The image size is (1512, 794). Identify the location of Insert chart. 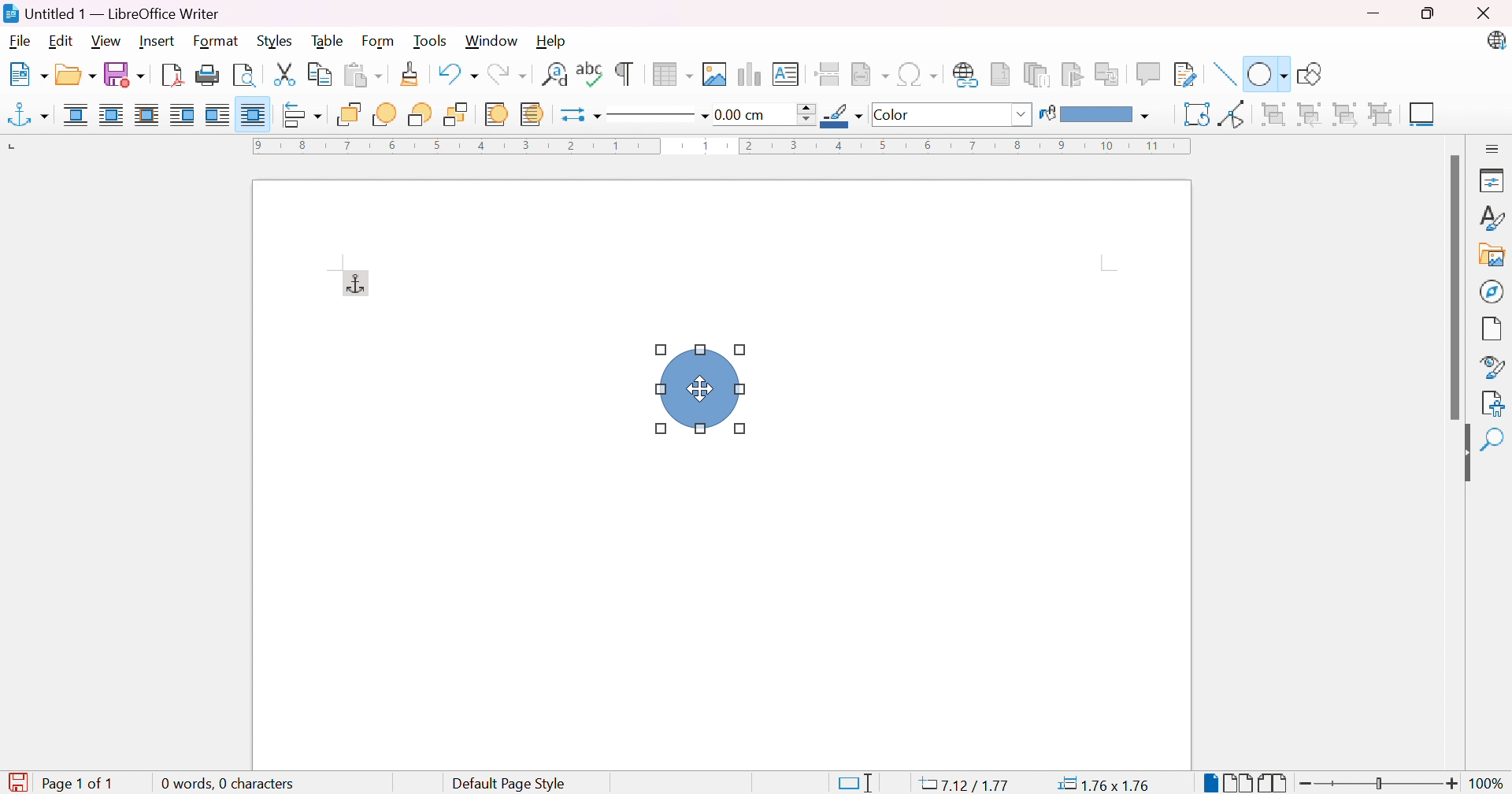
(747, 73).